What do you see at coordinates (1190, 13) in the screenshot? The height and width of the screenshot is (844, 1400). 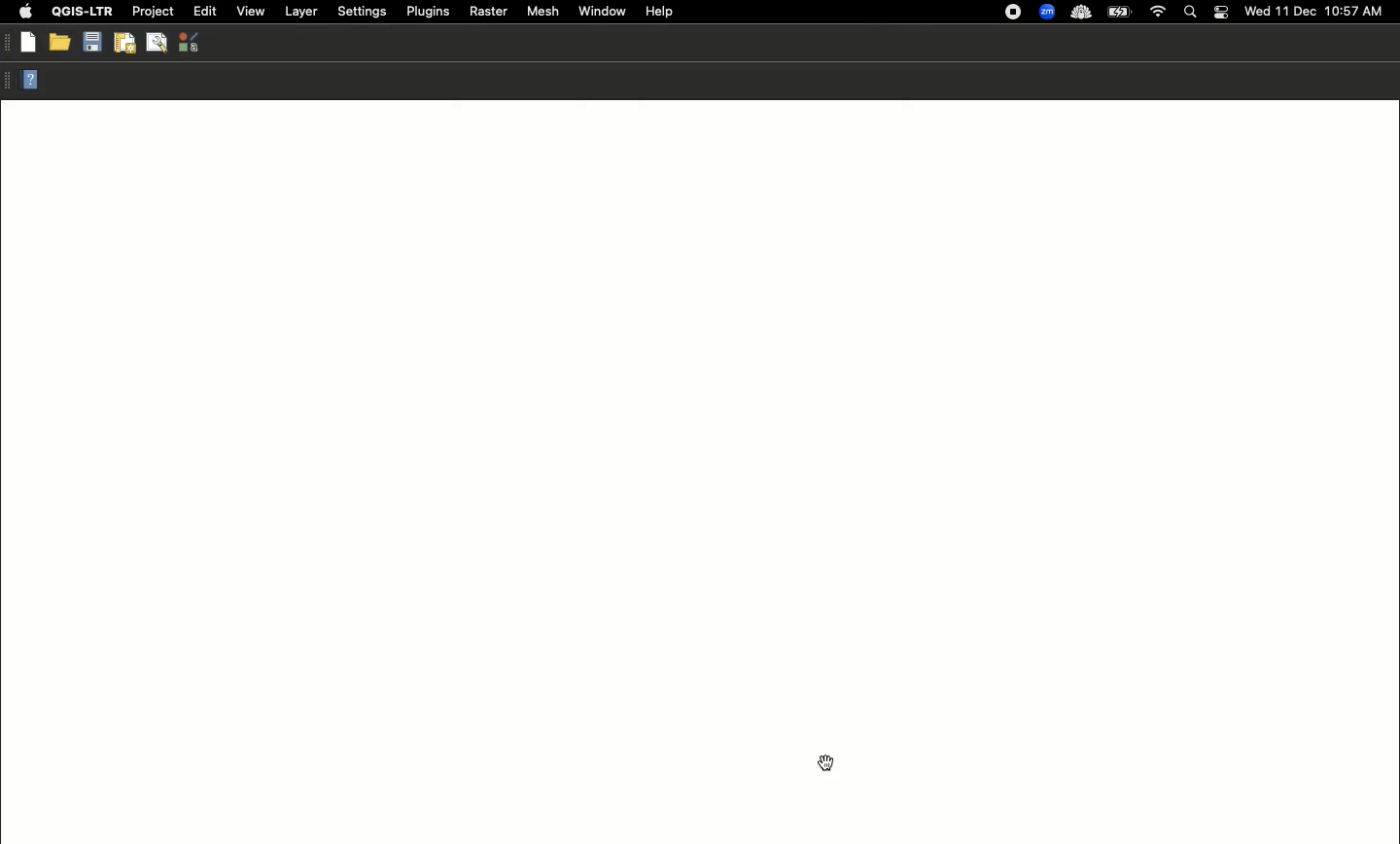 I see `Search` at bounding box center [1190, 13].